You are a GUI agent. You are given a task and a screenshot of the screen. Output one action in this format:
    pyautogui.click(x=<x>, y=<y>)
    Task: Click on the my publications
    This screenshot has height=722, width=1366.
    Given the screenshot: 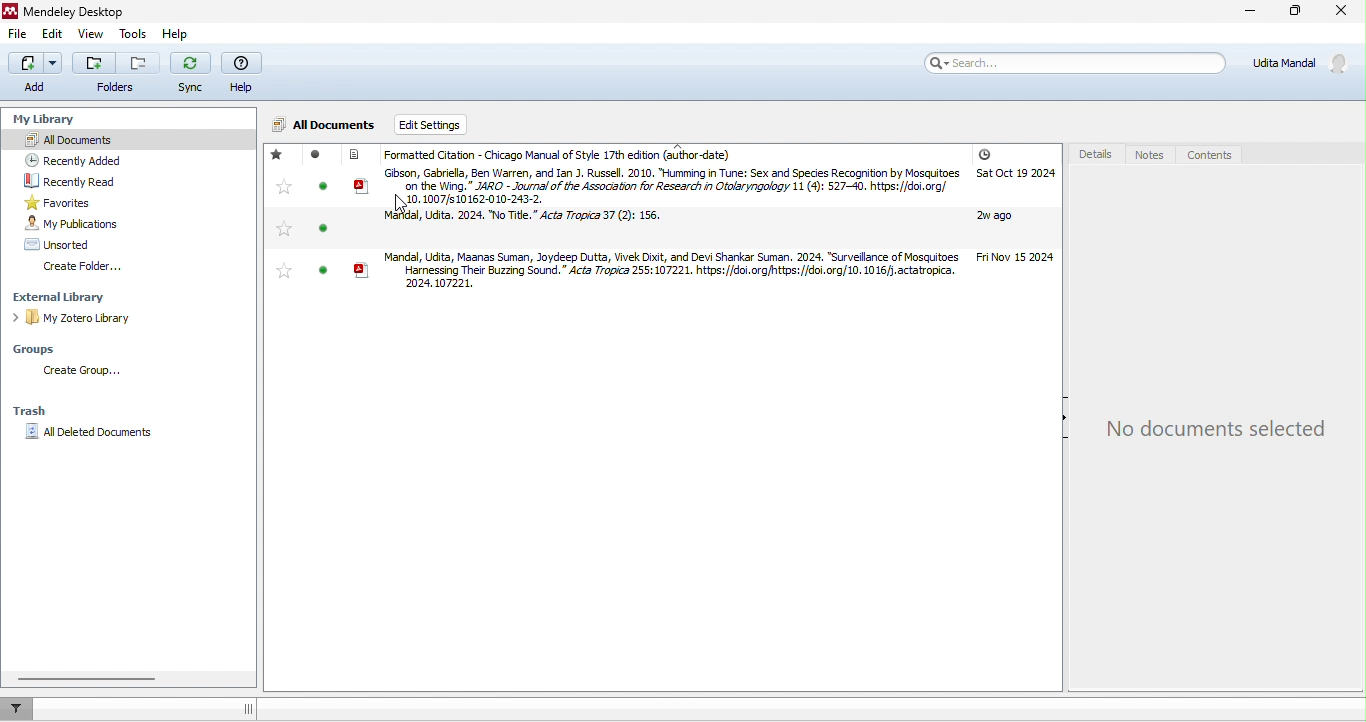 What is the action you would take?
    pyautogui.click(x=80, y=222)
    